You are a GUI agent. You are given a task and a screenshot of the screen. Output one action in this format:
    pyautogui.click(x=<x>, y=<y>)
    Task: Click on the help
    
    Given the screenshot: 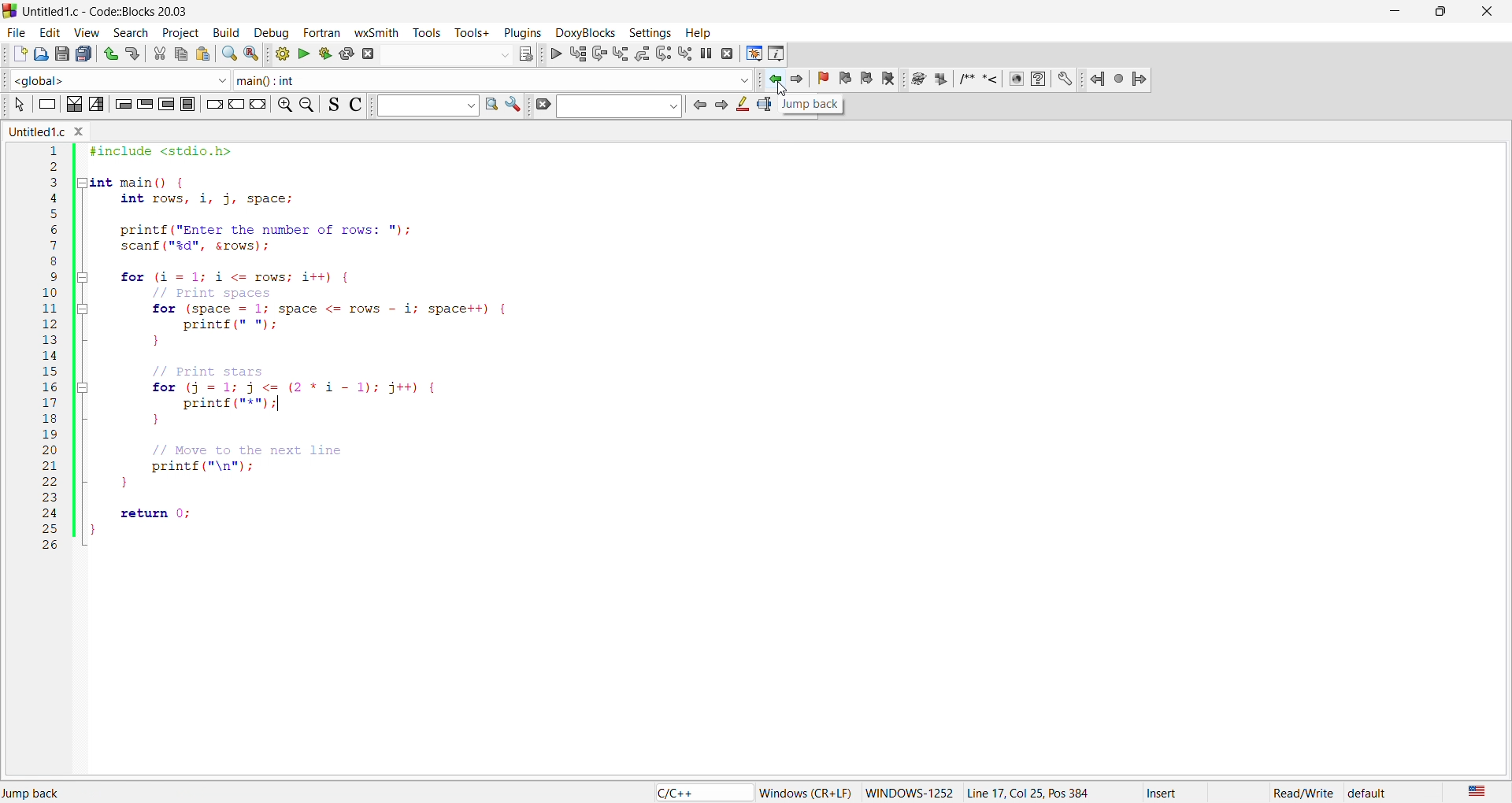 What is the action you would take?
    pyautogui.click(x=696, y=31)
    